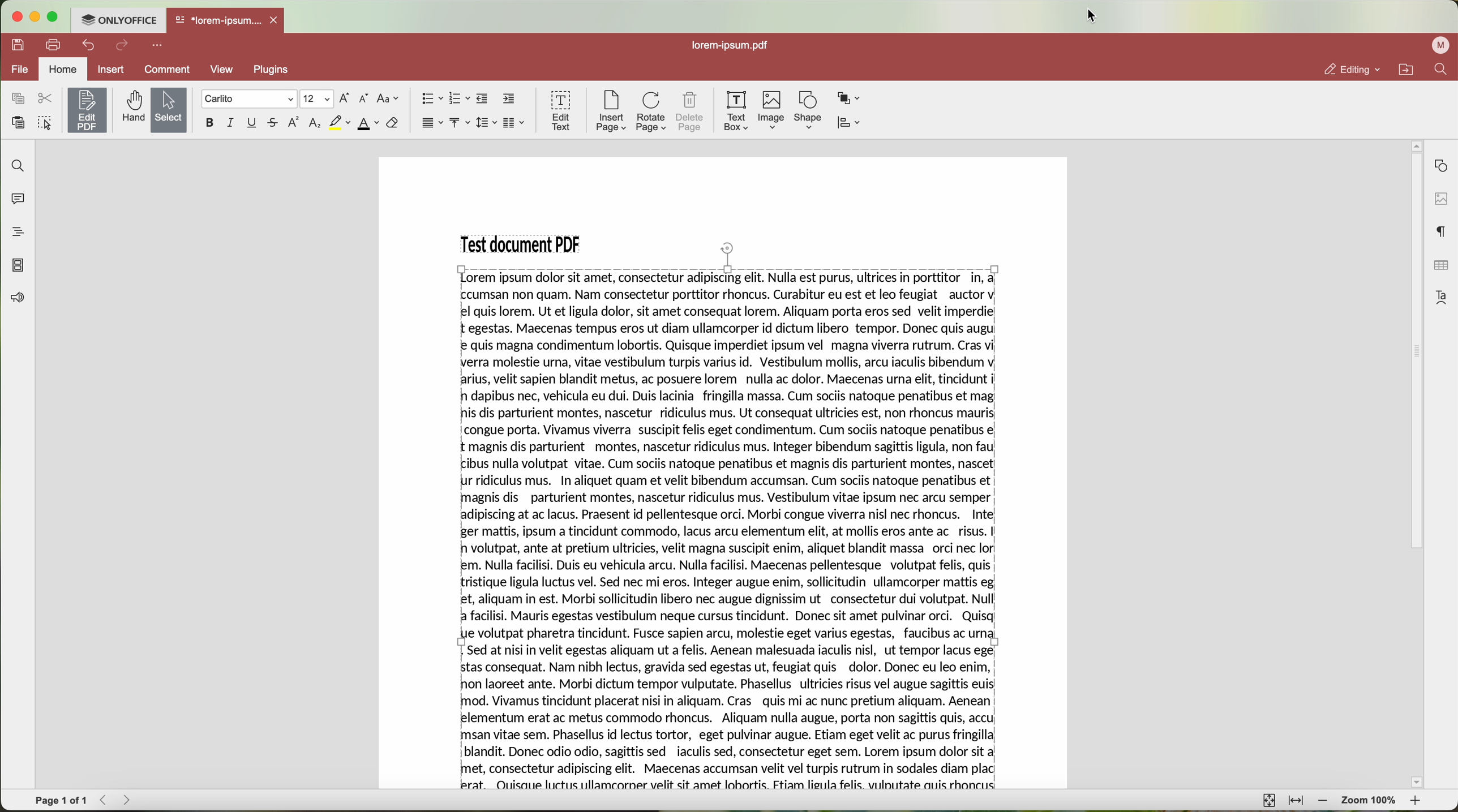  Describe the element at coordinates (18, 166) in the screenshot. I see `find` at that location.